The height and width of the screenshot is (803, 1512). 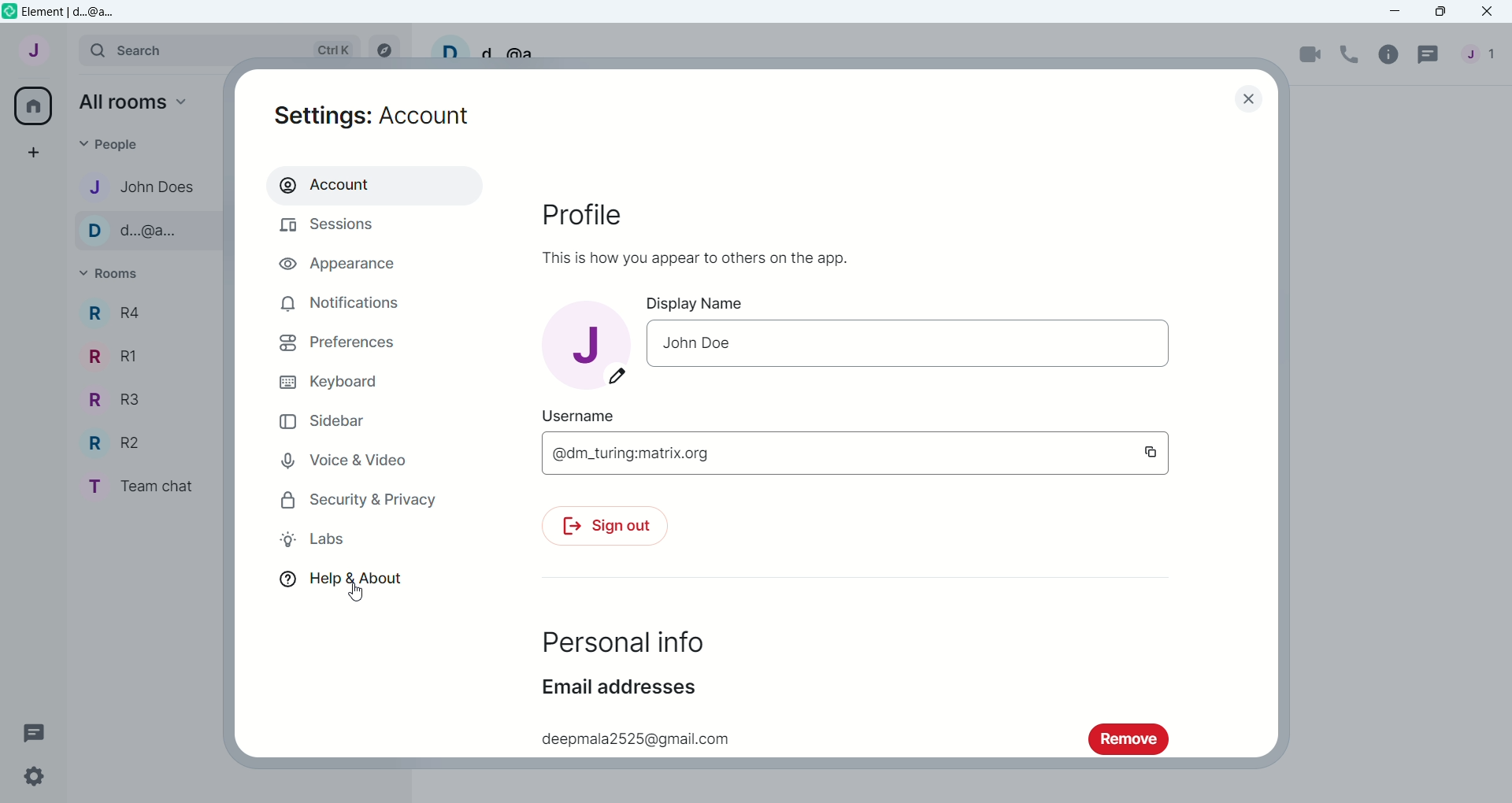 What do you see at coordinates (323, 420) in the screenshot?
I see `Sidebar` at bounding box center [323, 420].